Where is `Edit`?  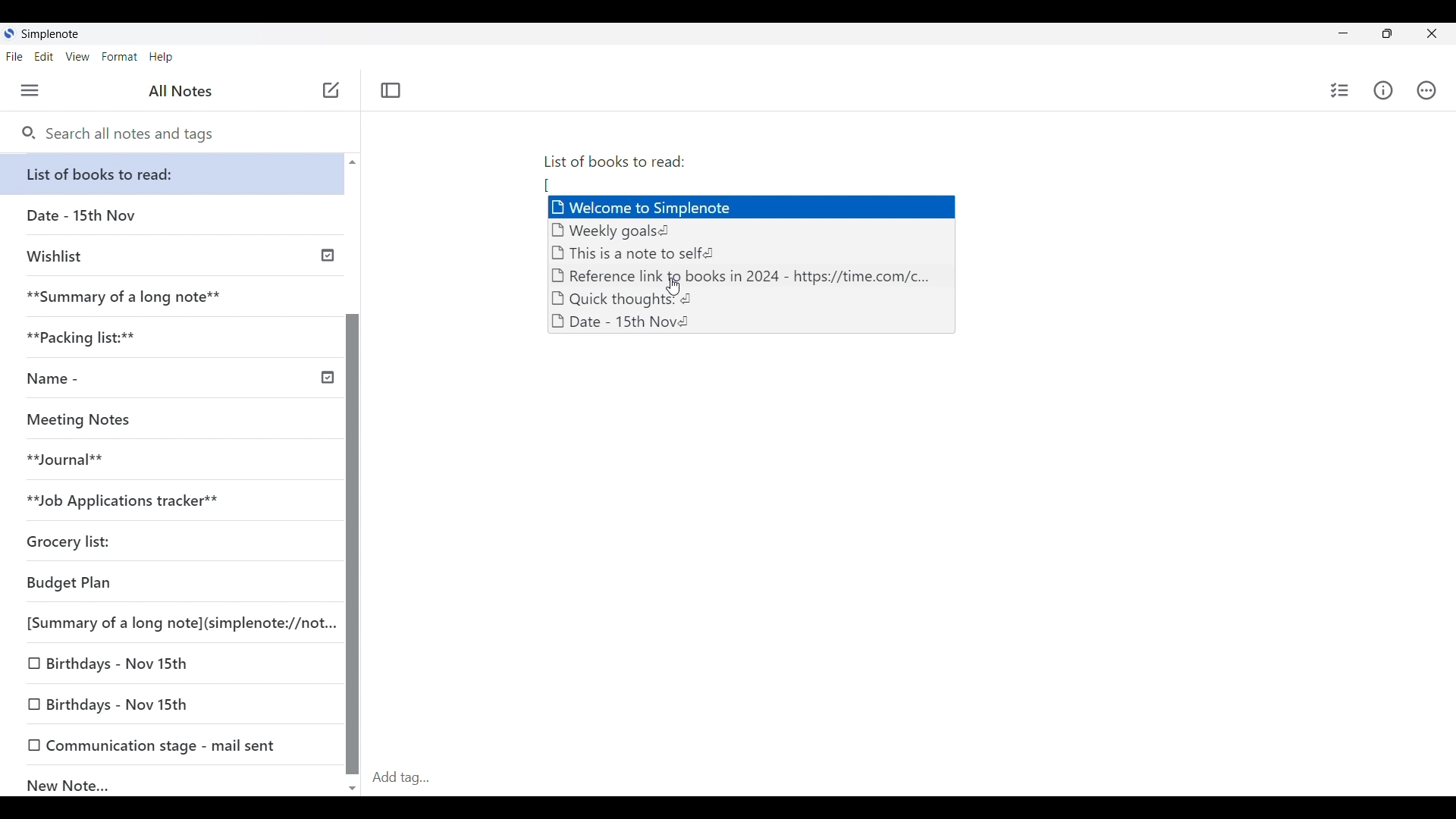
Edit is located at coordinates (44, 57).